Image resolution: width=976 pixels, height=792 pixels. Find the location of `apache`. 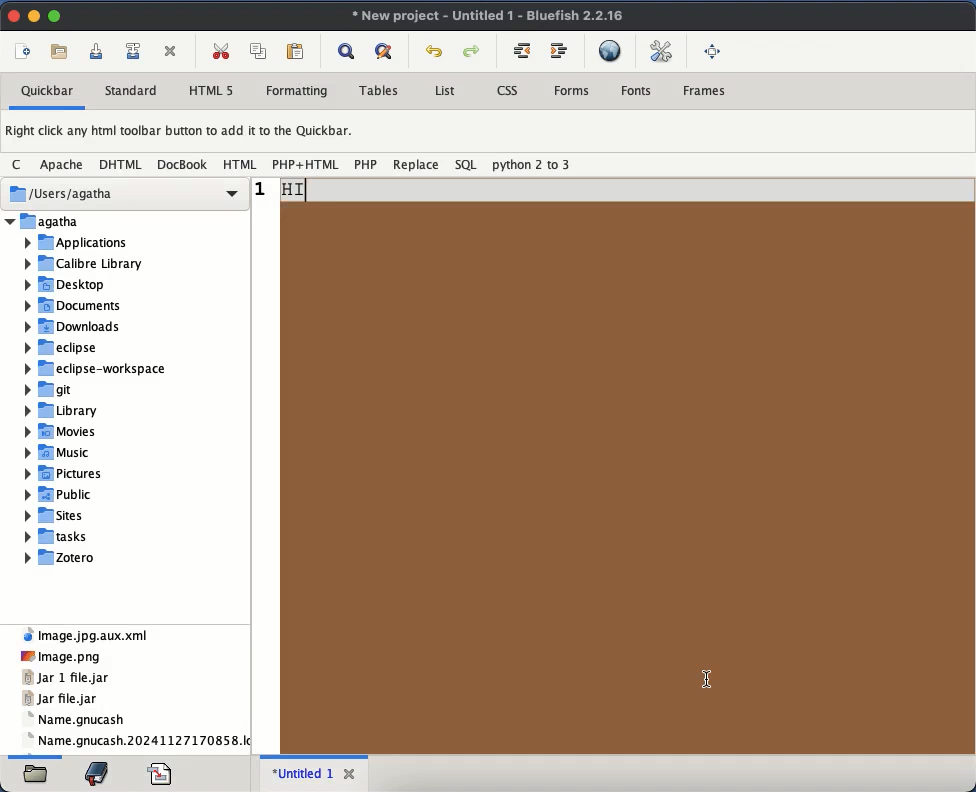

apache is located at coordinates (61, 164).